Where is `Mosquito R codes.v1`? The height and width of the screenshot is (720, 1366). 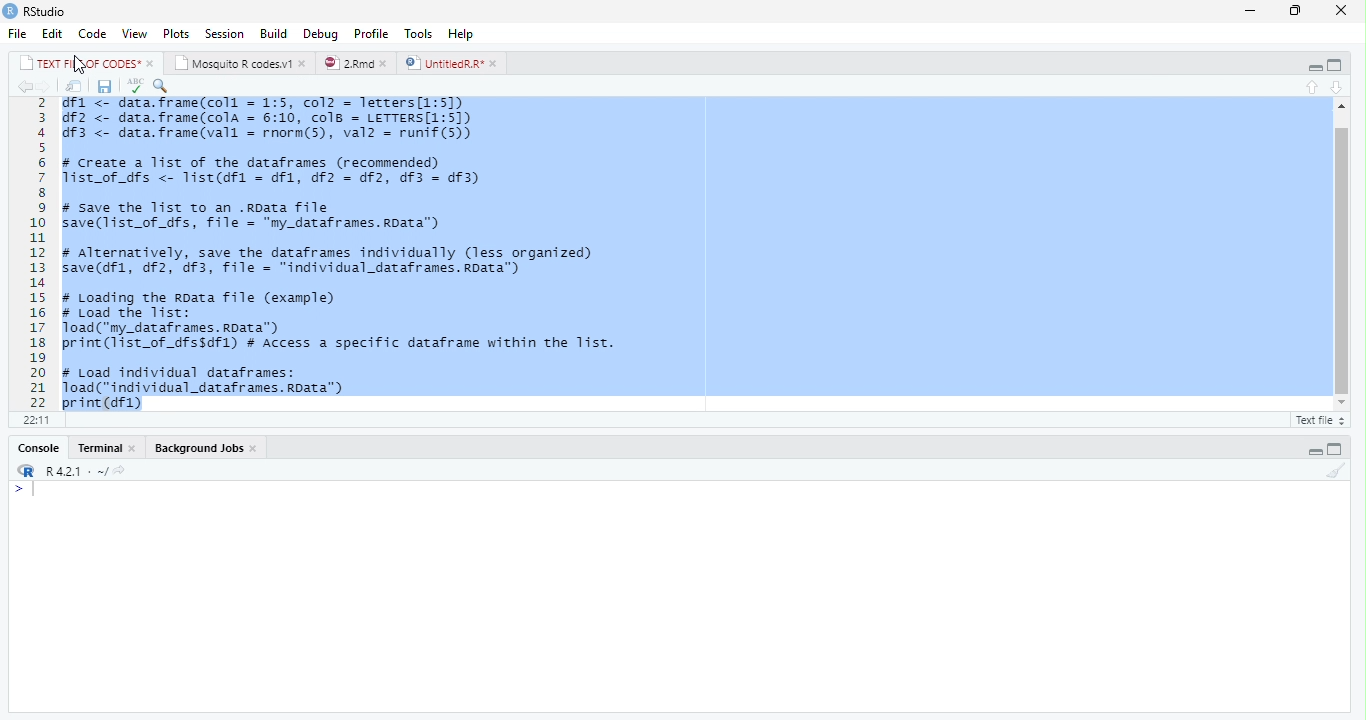 Mosquito R codes.v1 is located at coordinates (239, 62).